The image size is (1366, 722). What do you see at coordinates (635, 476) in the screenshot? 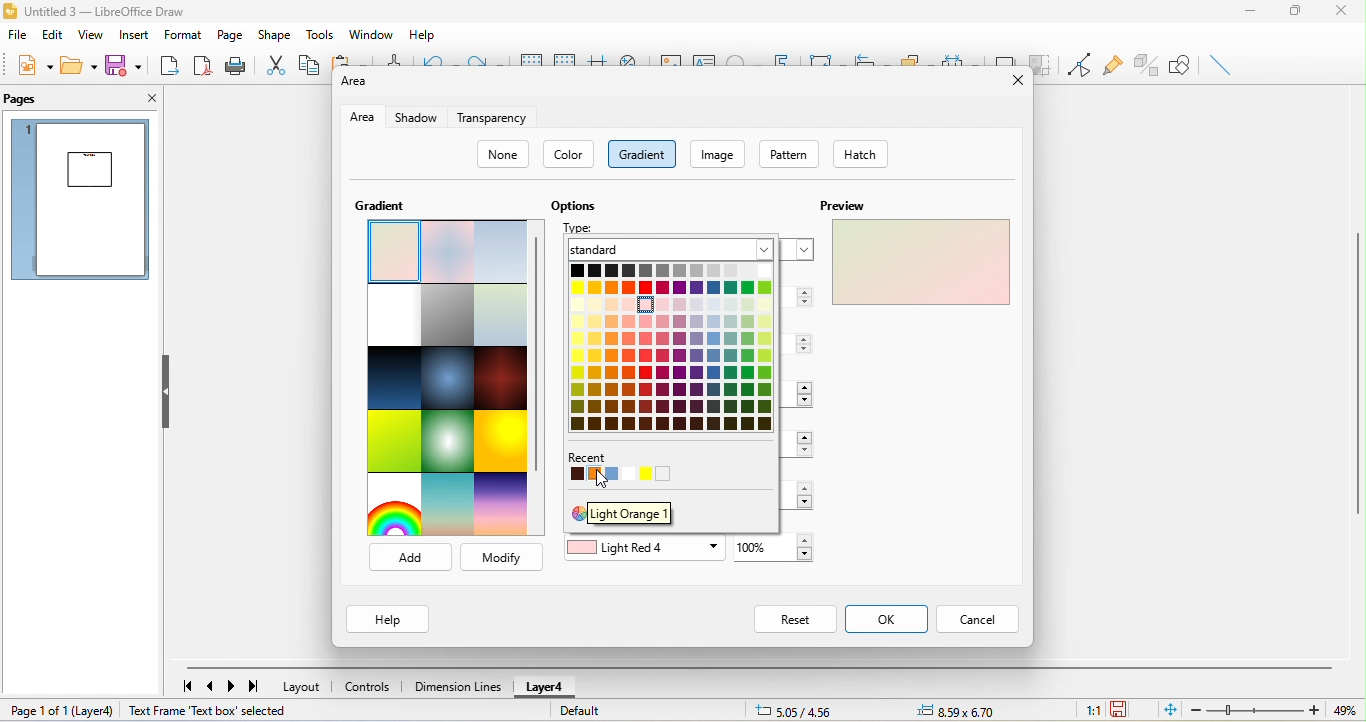
I see `recent color` at bounding box center [635, 476].